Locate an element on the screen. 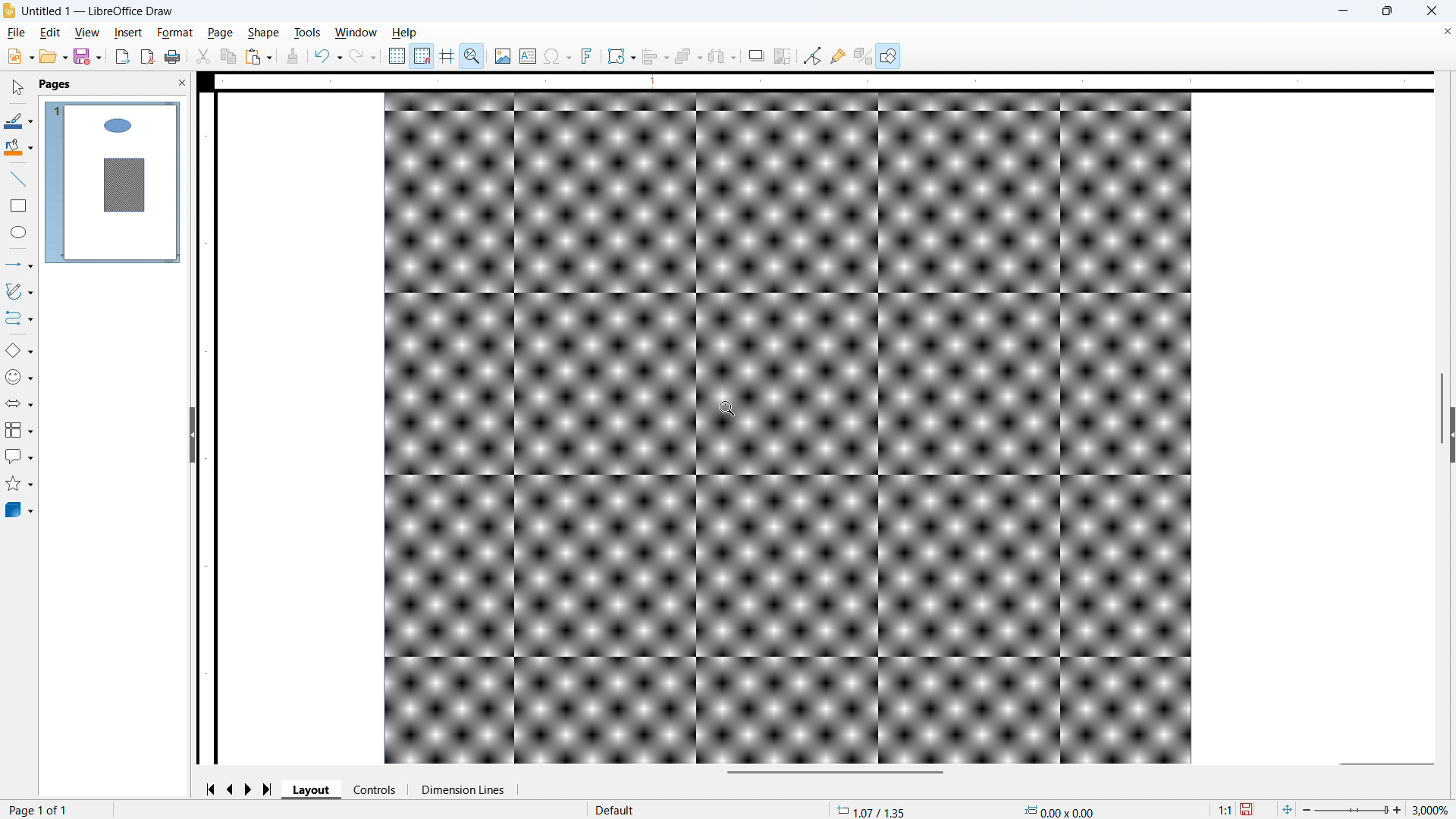 The image size is (1456, 819). Toggle point edit mode  is located at coordinates (812, 56).